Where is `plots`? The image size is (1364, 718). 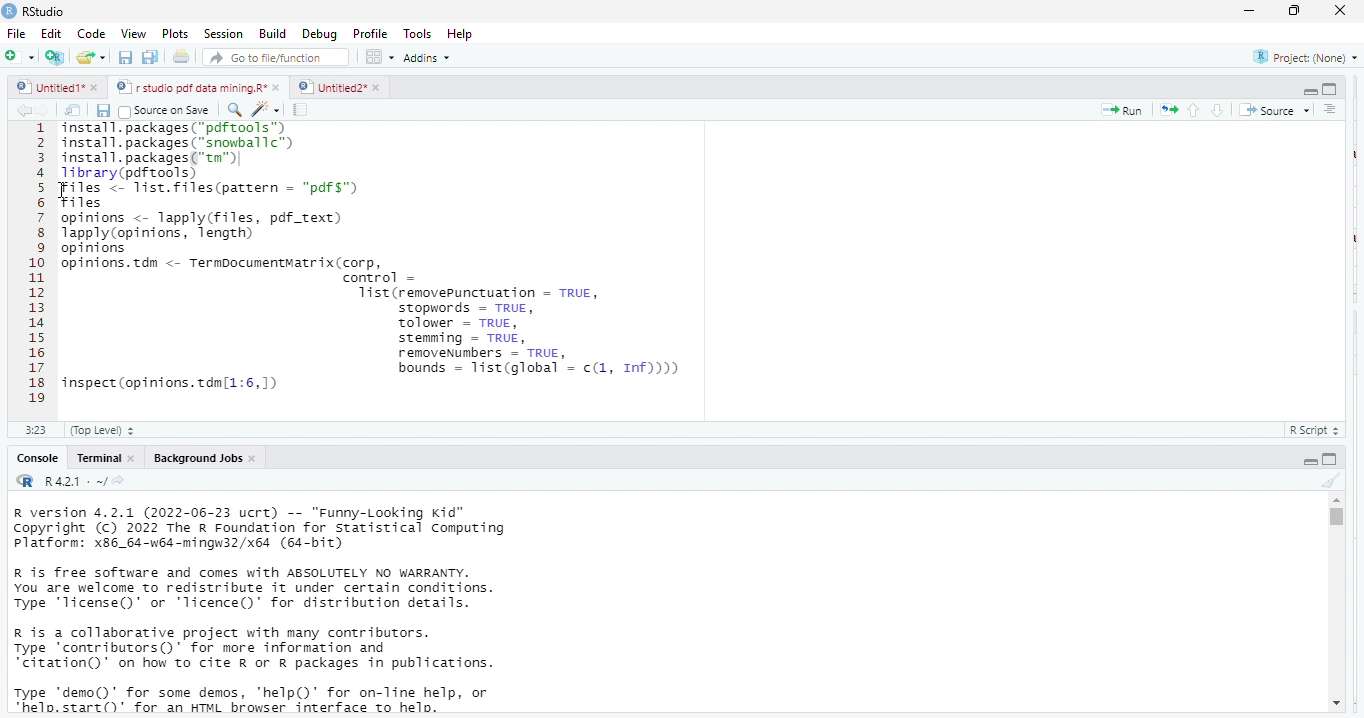 plots is located at coordinates (175, 34).